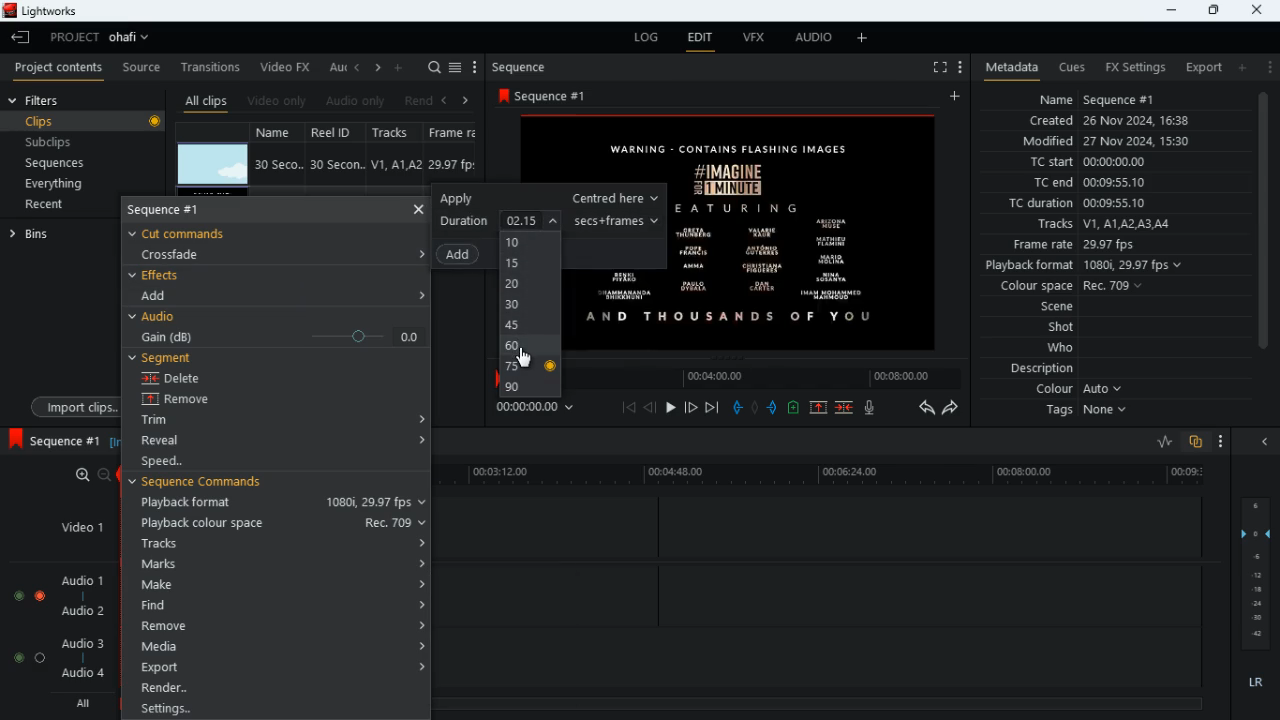 The width and height of the screenshot is (1280, 720). Describe the element at coordinates (422, 293) in the screenshot. I see `Accordion` at that location.